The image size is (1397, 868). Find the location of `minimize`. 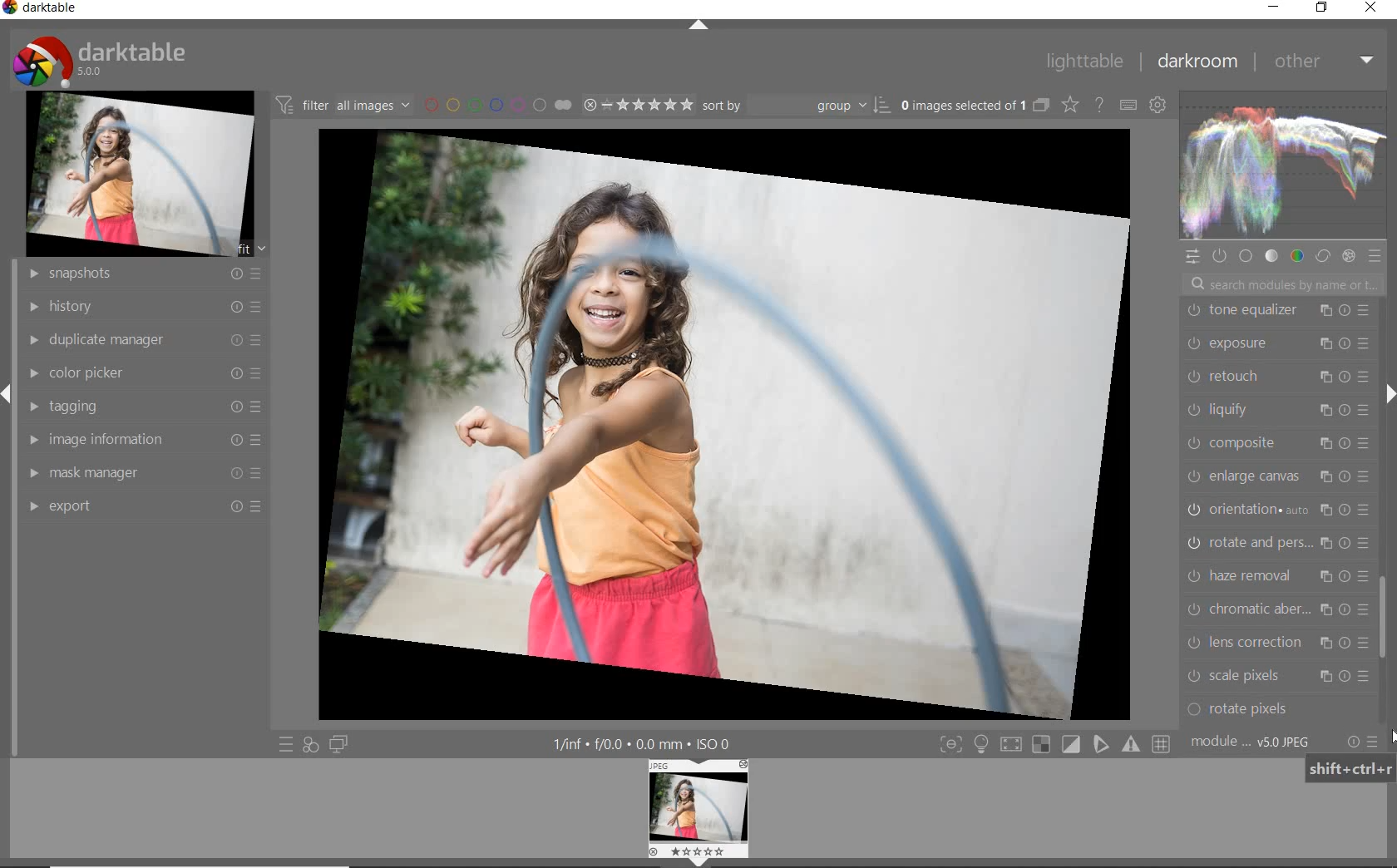

minimize is located at coordinates (1272, 7).